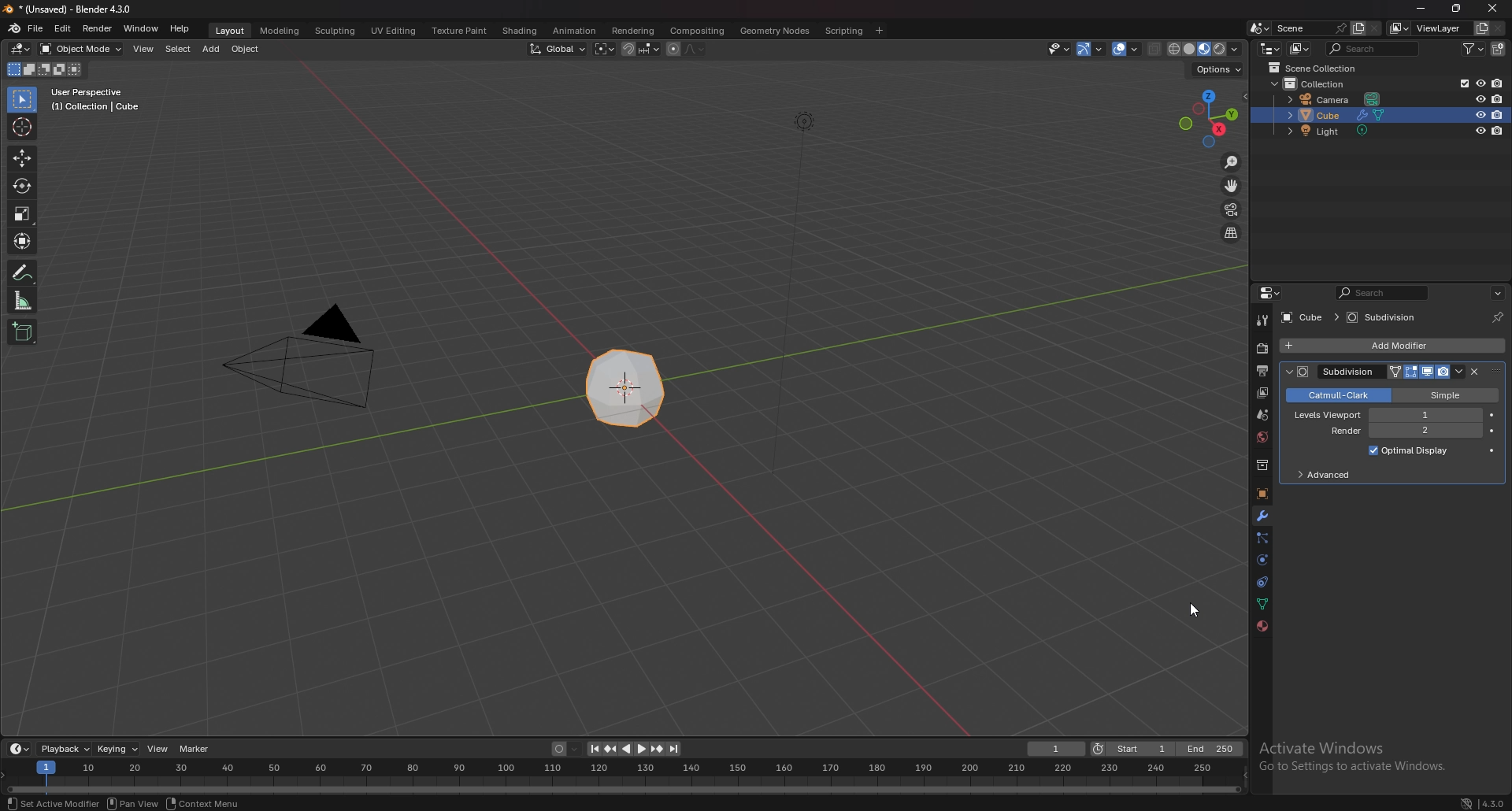 This screenshot has width=1512, height=811. What do you see at coordinates (1462, 83) in the screenshot?
I see `exclude from view layer` at bounding box center [1462, 83].